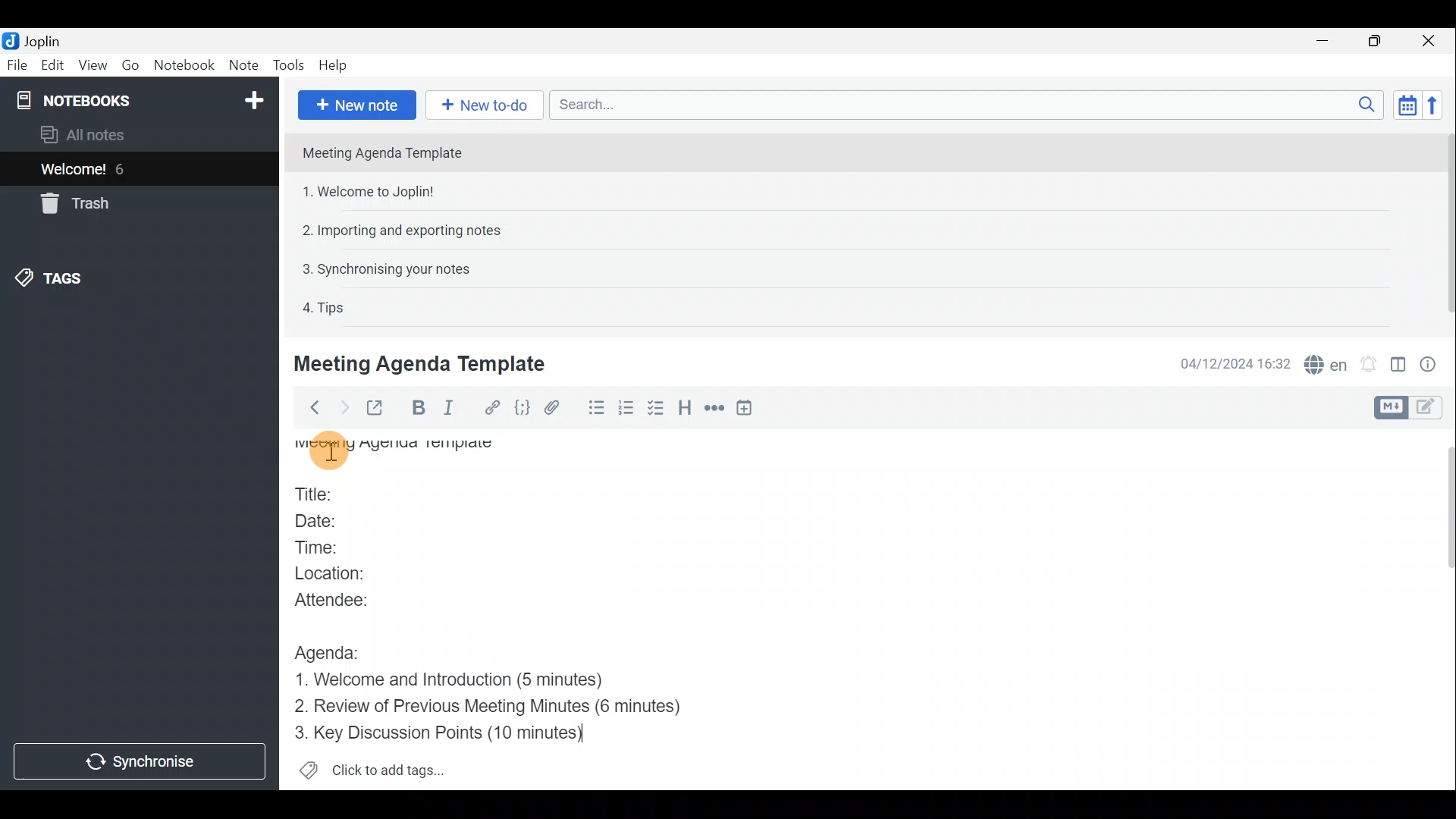  What do you see at coordinates (42, 40) in the screenshot?
I see `Joplin` at bounding box center [42, 40].